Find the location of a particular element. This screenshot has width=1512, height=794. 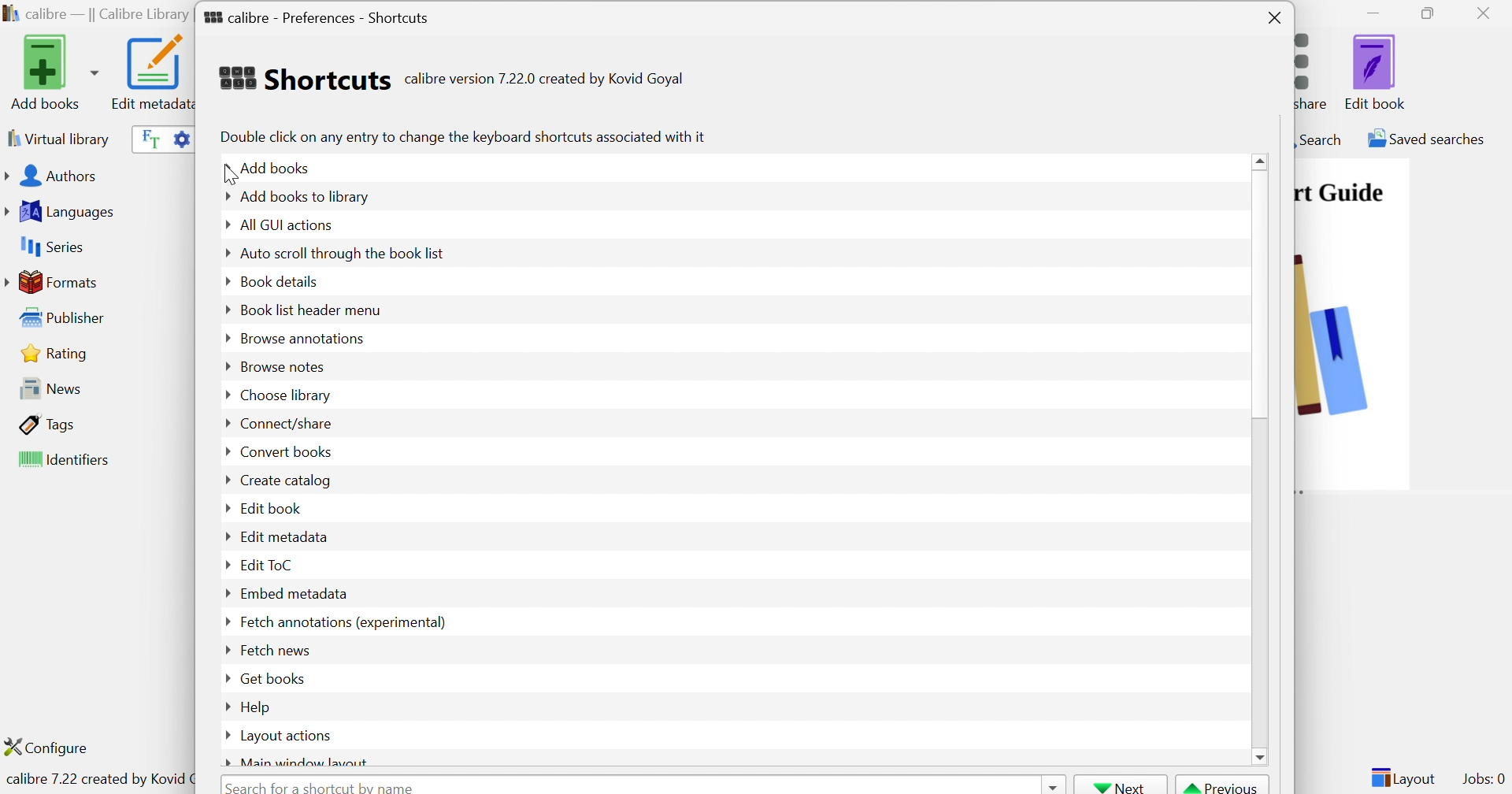

Drop Down is located at coordinates (225, 566).